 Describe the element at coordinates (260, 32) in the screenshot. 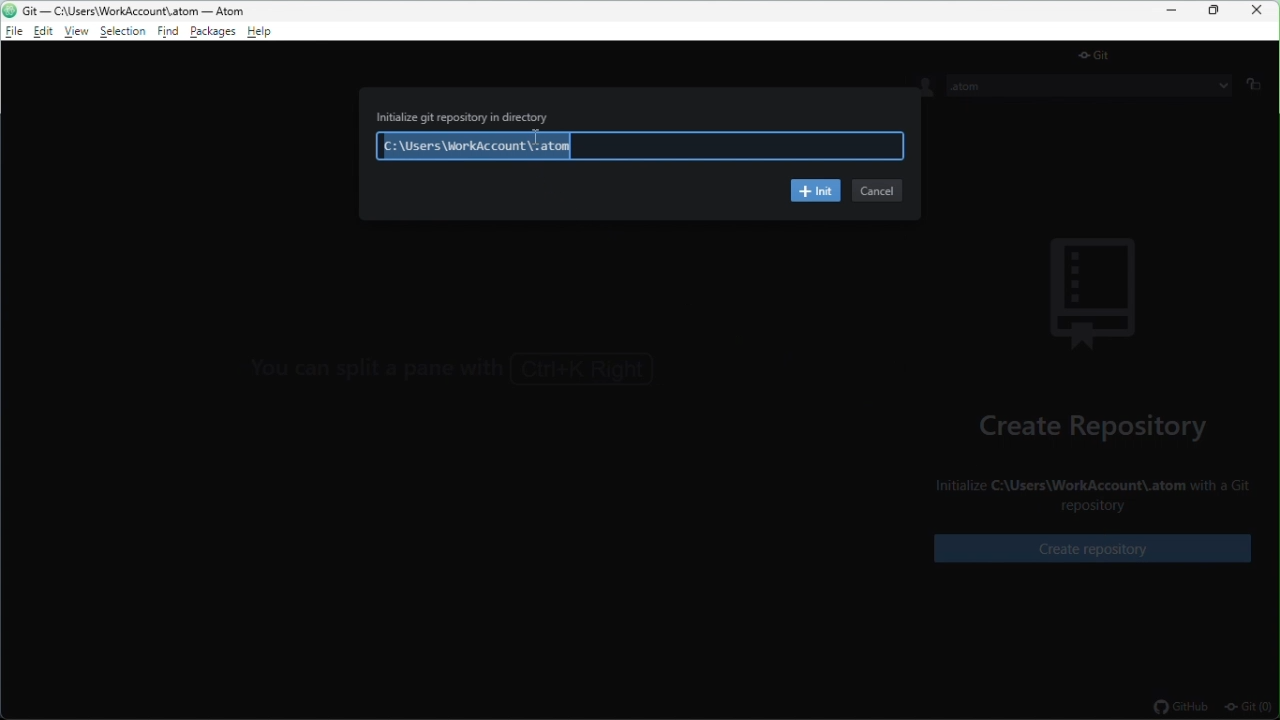

I see `help` at that location.